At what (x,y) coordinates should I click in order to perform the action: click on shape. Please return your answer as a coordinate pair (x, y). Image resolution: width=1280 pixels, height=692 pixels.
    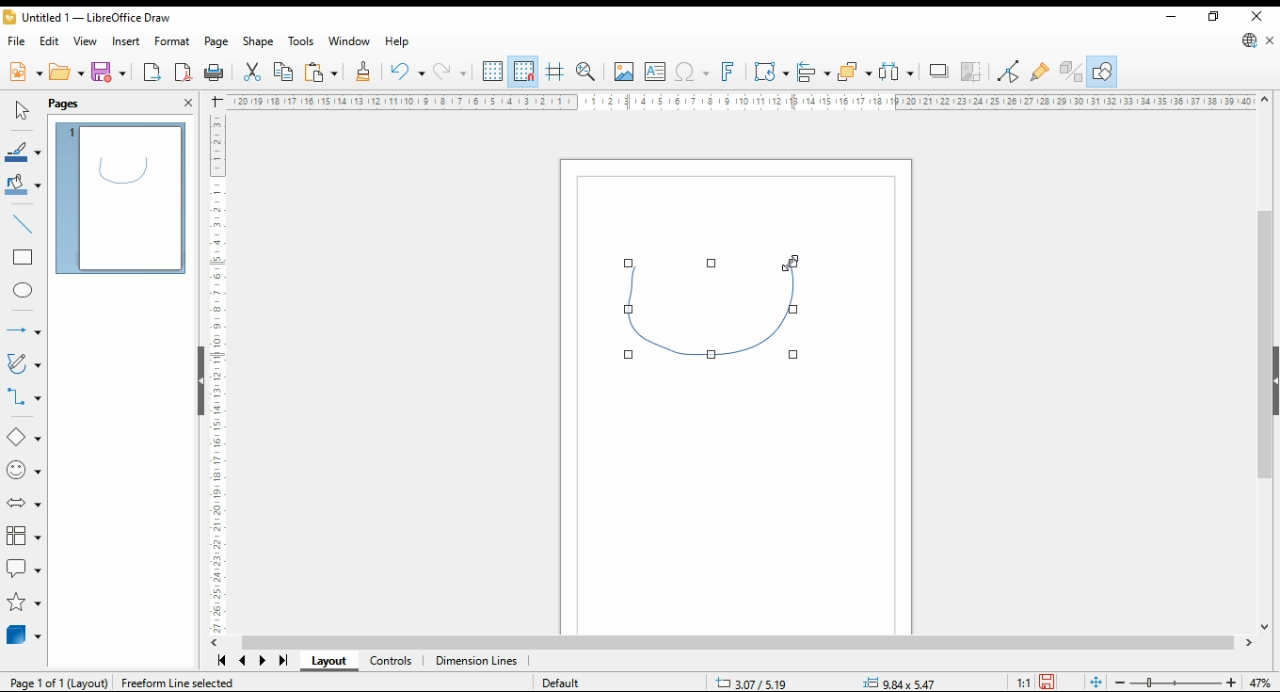
    Looking at the image, I should click on (716, 313).